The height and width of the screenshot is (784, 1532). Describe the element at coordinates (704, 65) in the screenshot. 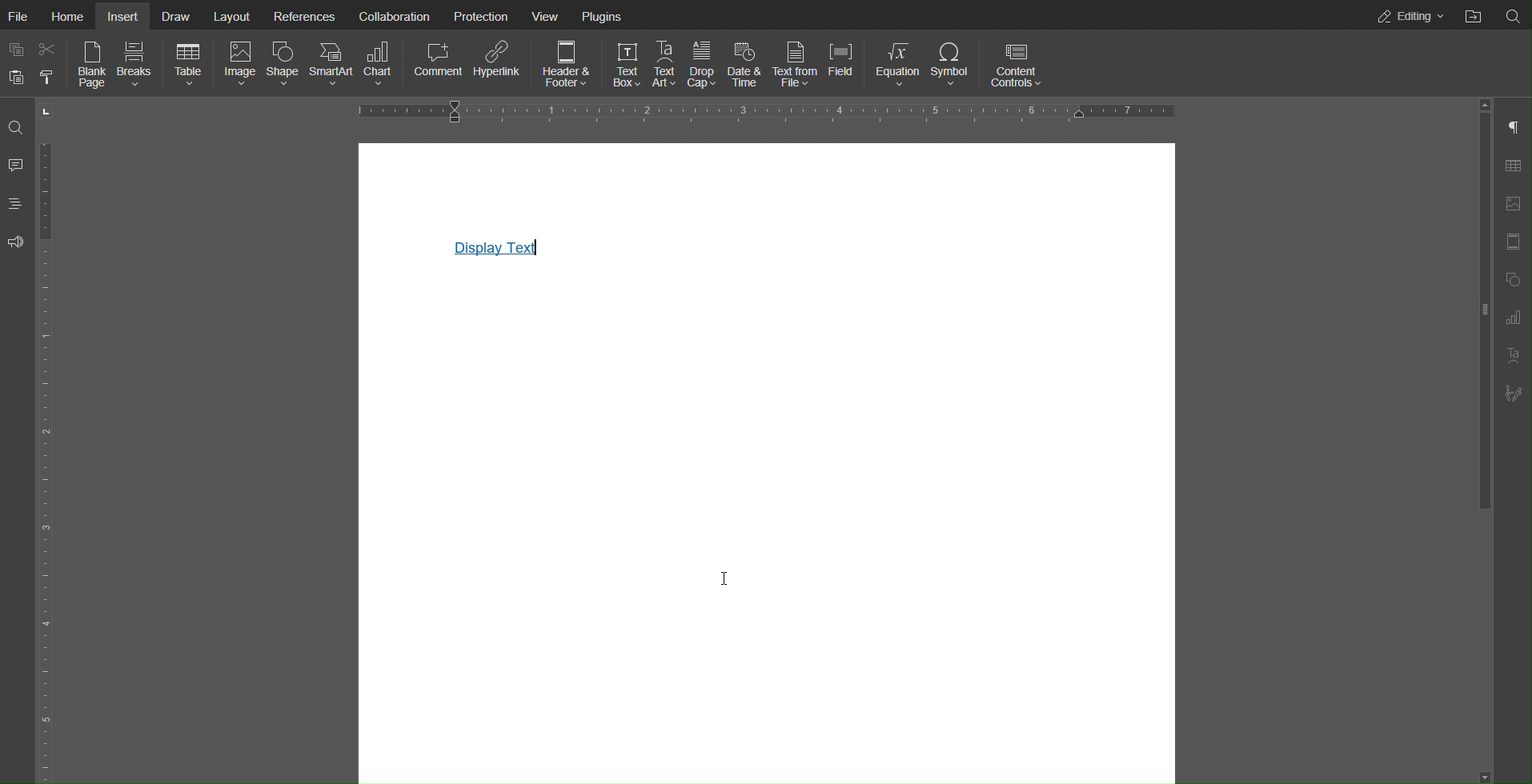

I see `Drop Cap` at that location.